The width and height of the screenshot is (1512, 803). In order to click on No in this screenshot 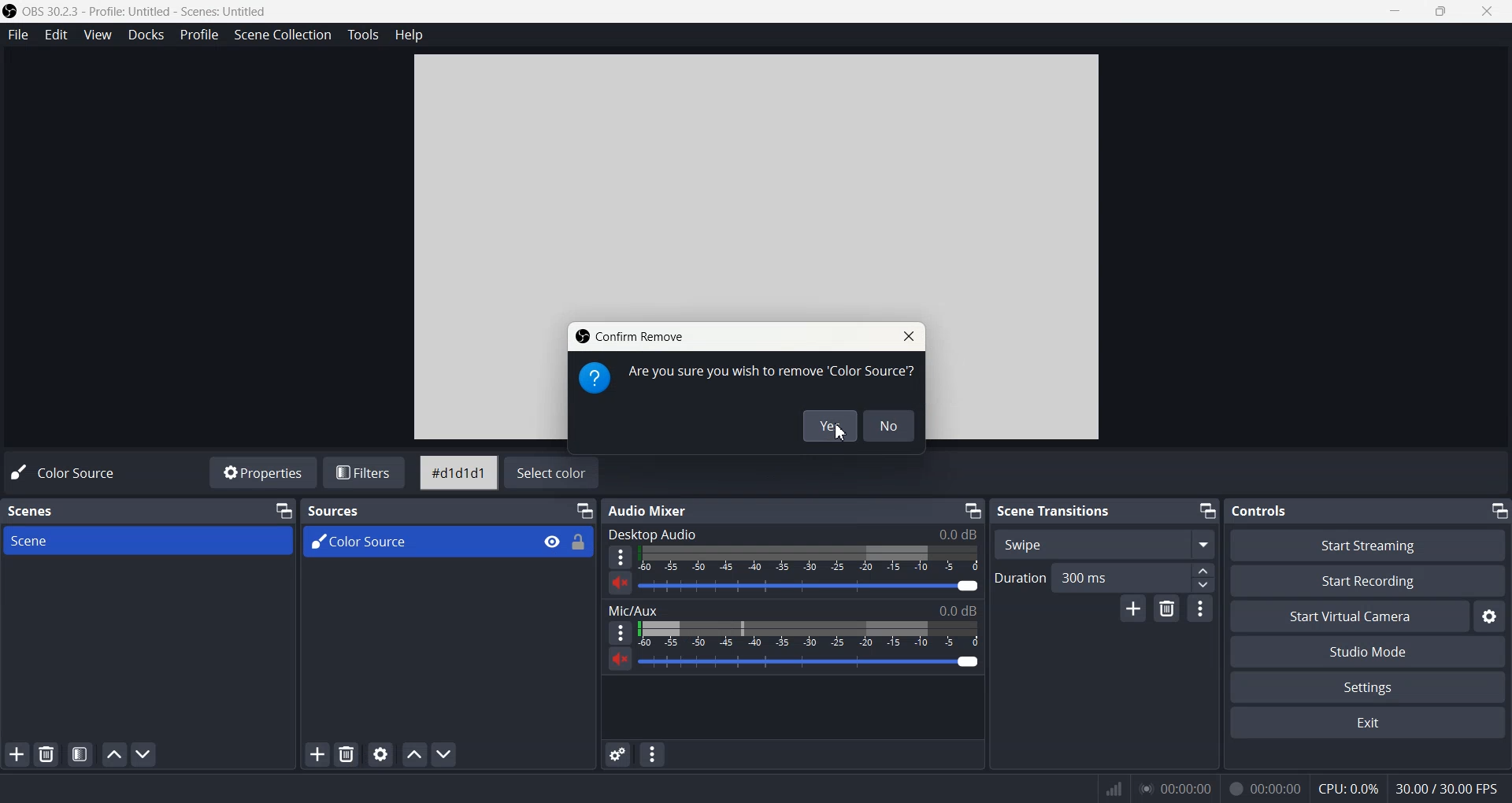, I will do `click(891, 425)`.